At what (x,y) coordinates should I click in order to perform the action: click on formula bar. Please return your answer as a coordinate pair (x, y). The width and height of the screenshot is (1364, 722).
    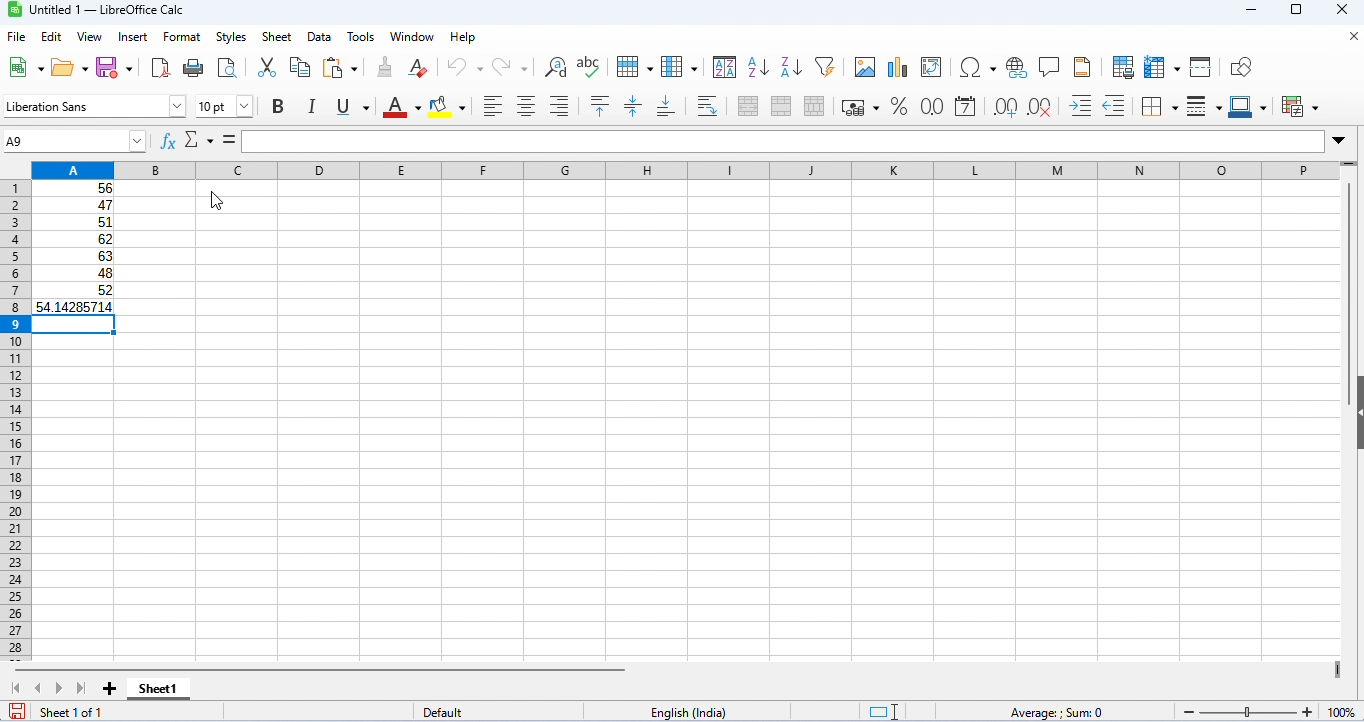
    Looking at the image, I should click on (841, 141).